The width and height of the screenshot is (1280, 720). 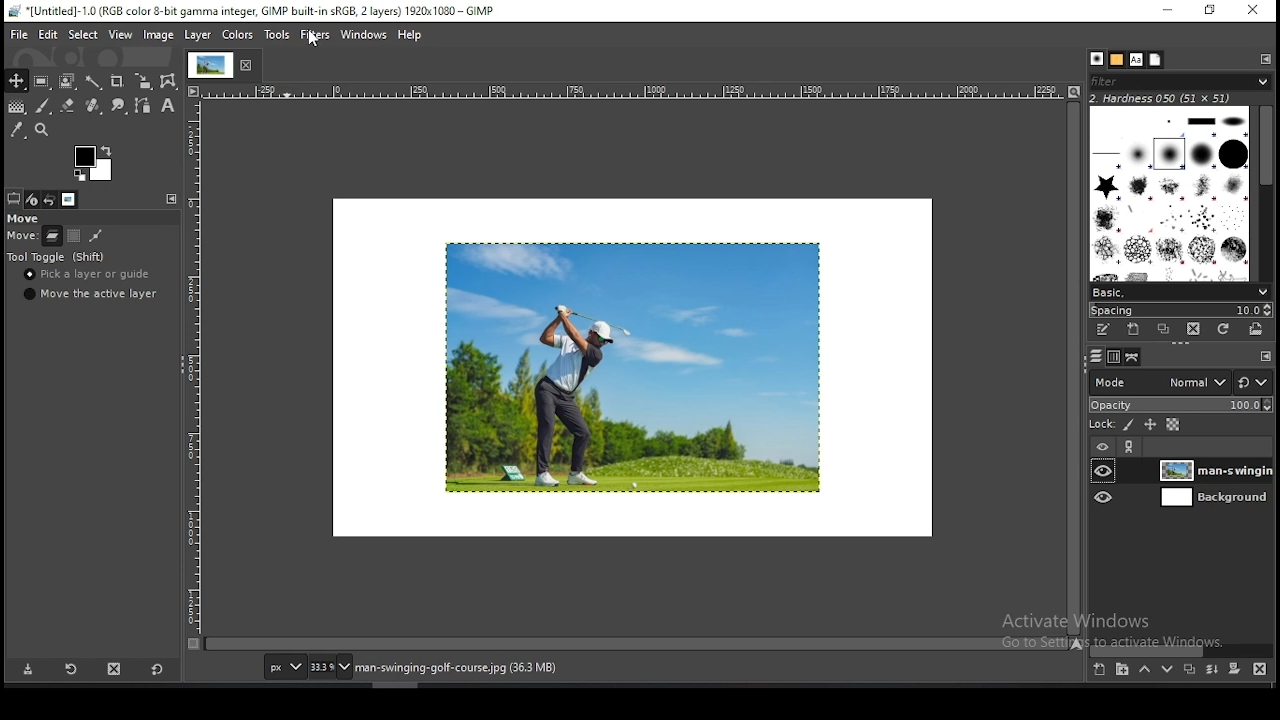 I want to click on document history, so click(x=1155, y=60).